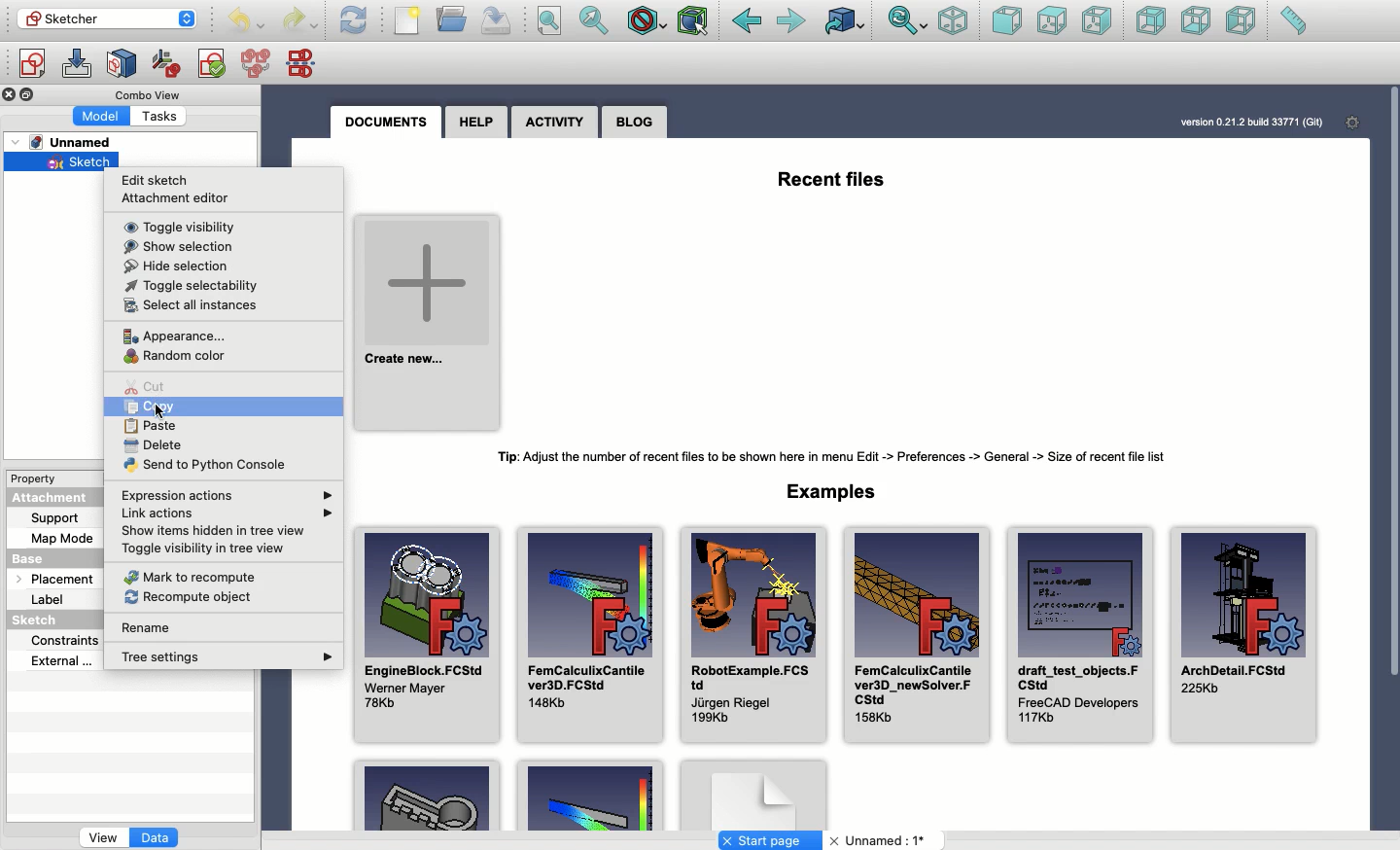  What do you see at coordinates (66, 162) in the screenshot?
I see `Sketch` at bounding box center [66, 162].